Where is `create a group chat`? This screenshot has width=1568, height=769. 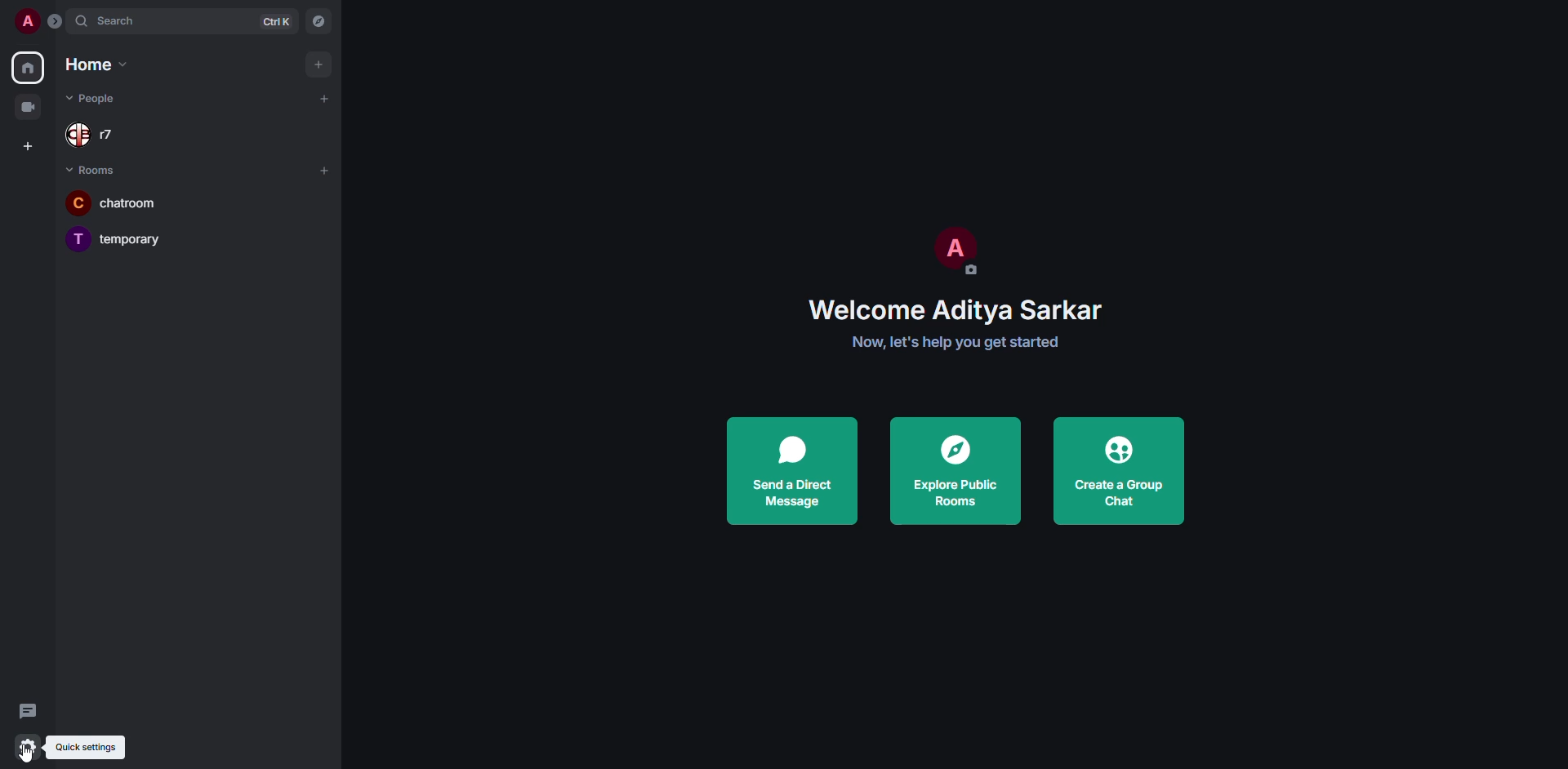 create a group chat is located at coordinates (1117, 471).